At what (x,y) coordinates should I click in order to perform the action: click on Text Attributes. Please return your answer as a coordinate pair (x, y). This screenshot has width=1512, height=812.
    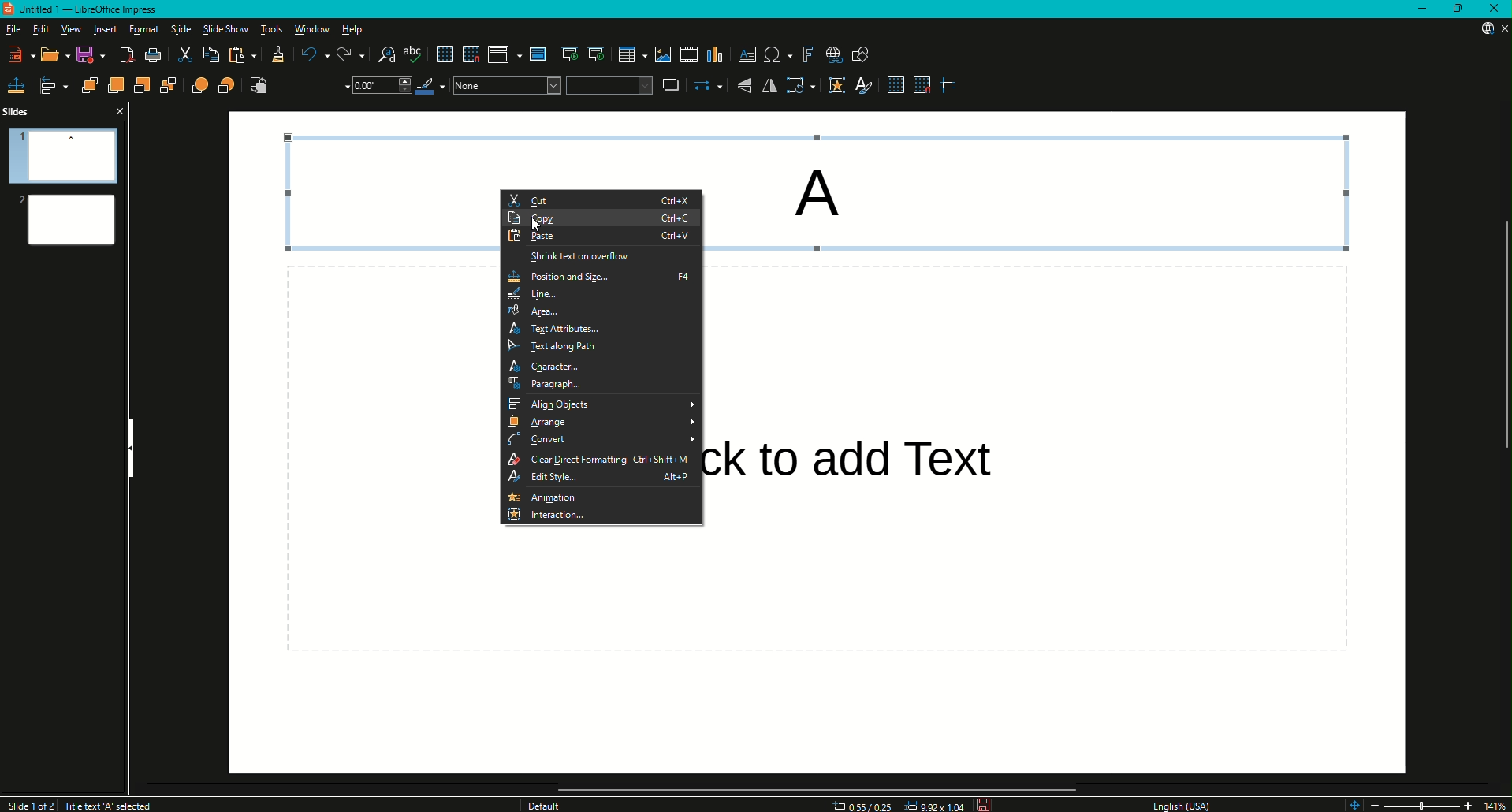
    Looking at the image, I should click on (603, 330).